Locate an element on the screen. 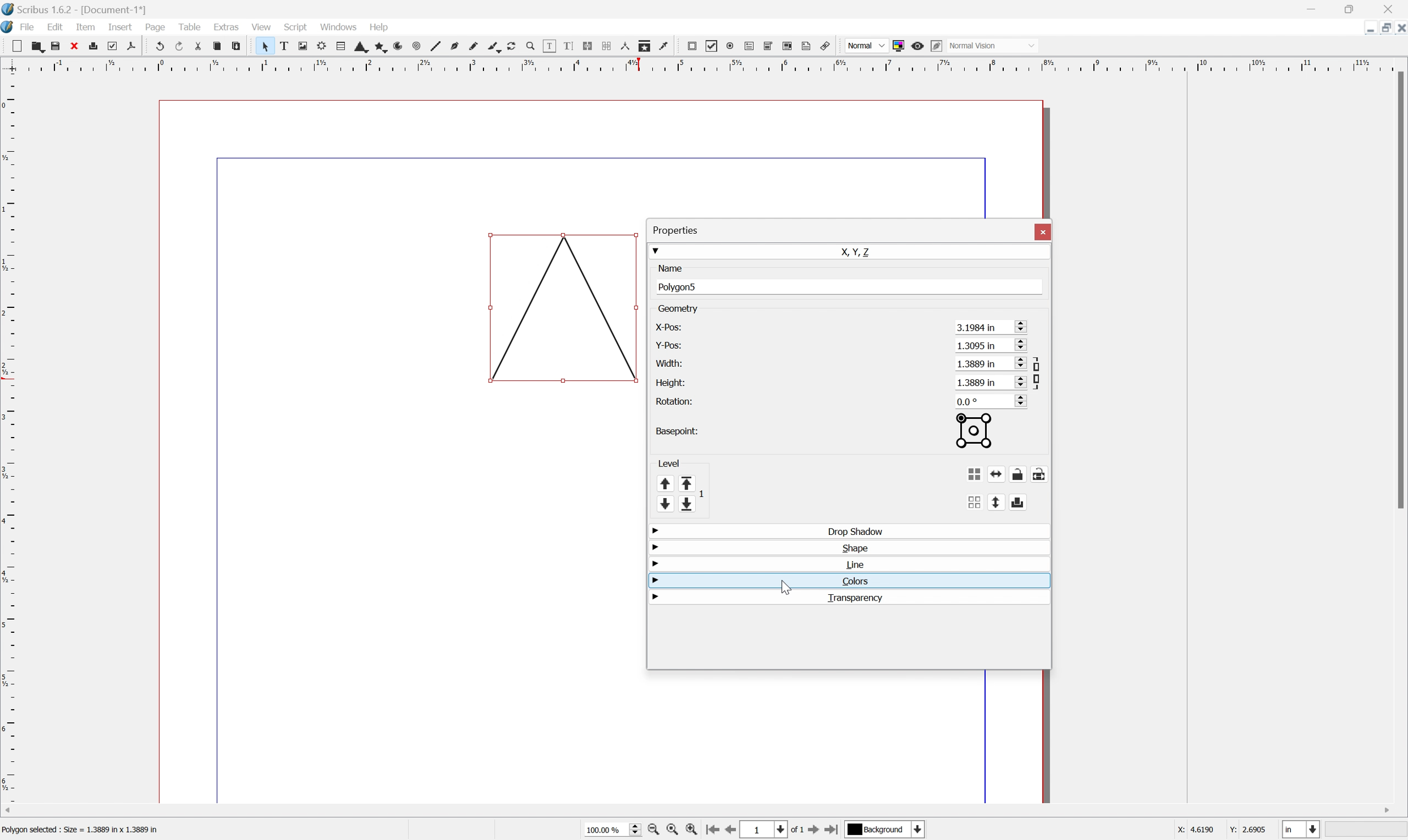 This screenshot has height=840, width=1408. Shape is located at coordinates (357, 48).